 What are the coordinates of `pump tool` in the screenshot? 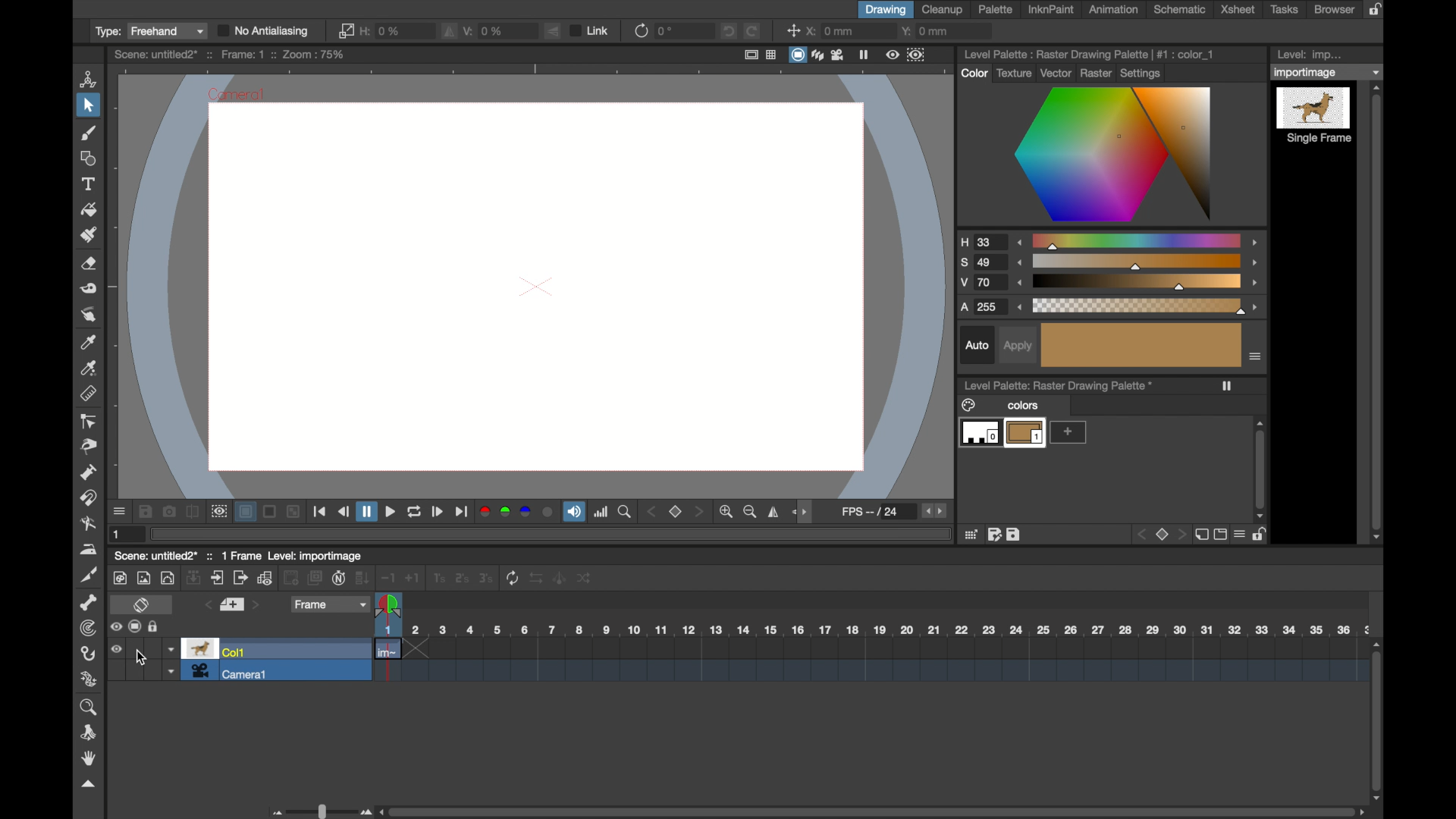 It's located at (87, 473).